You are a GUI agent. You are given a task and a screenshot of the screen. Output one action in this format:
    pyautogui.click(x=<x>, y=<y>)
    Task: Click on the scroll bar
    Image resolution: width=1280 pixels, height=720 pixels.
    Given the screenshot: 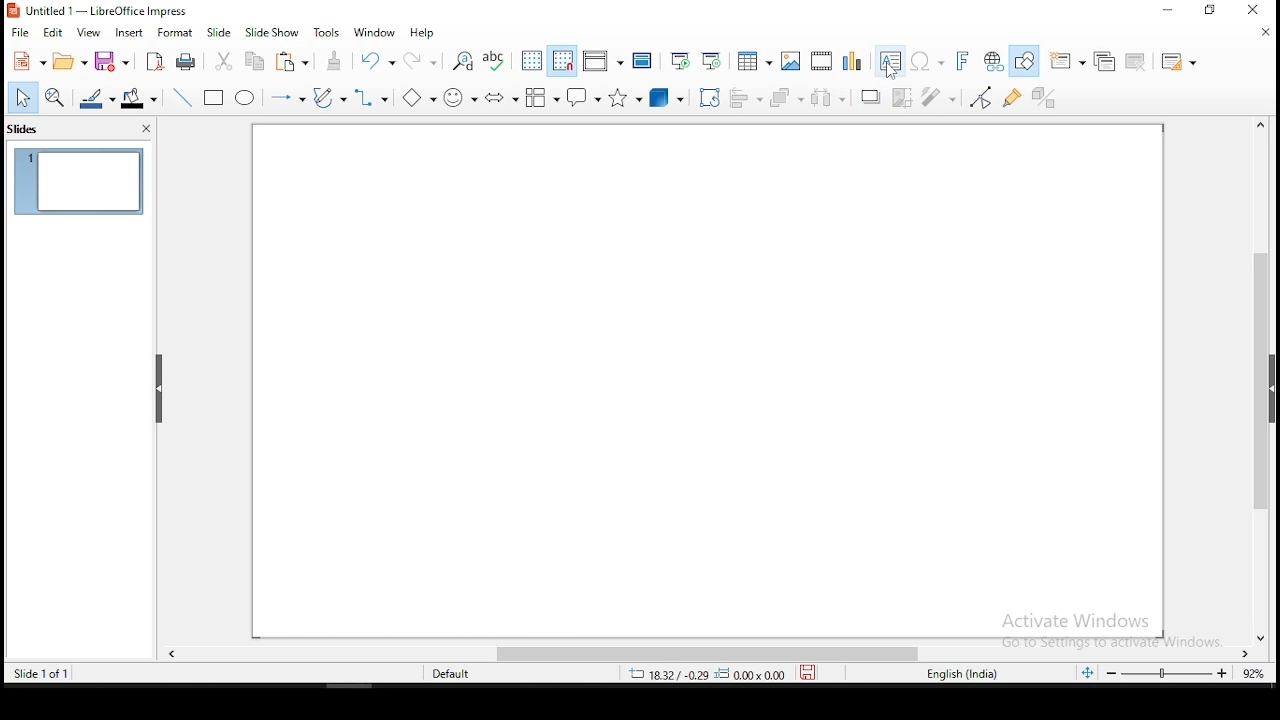 What is the action you would take?
    pyautogui.click(x=713, y=655)
    